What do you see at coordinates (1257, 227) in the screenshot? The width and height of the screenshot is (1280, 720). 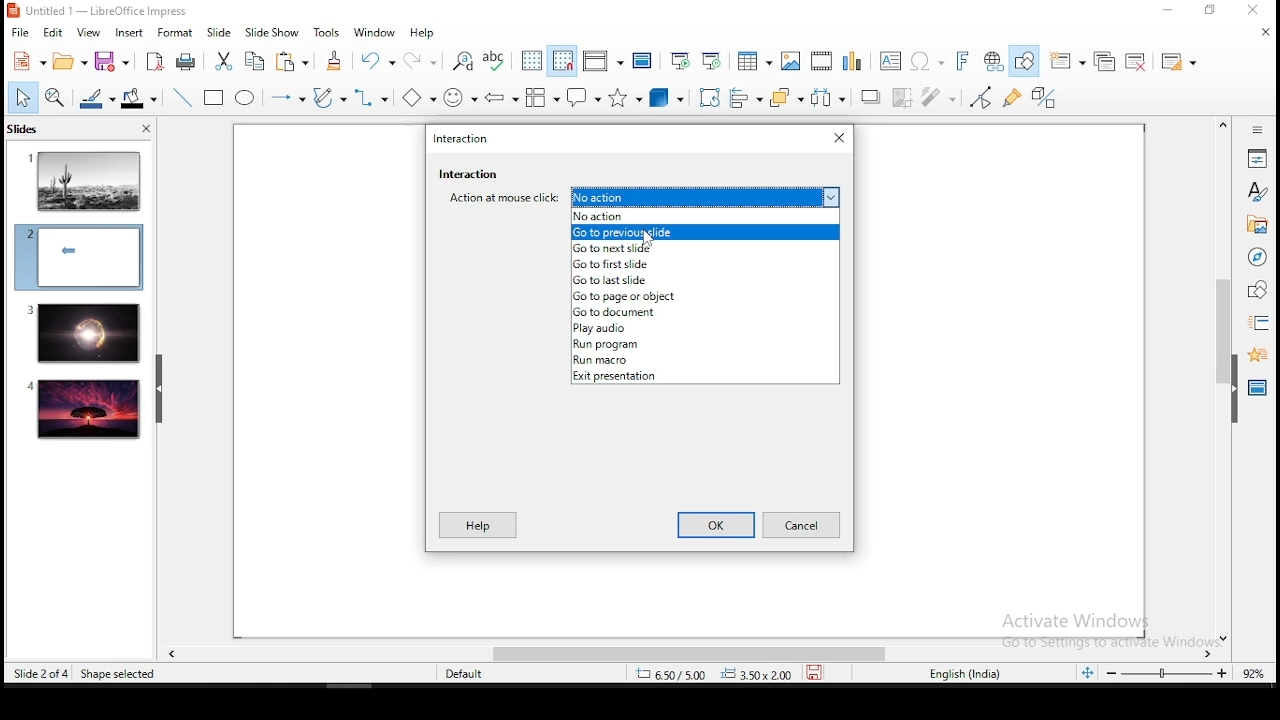 I see `gallery` at bounding box center [1257, 227].